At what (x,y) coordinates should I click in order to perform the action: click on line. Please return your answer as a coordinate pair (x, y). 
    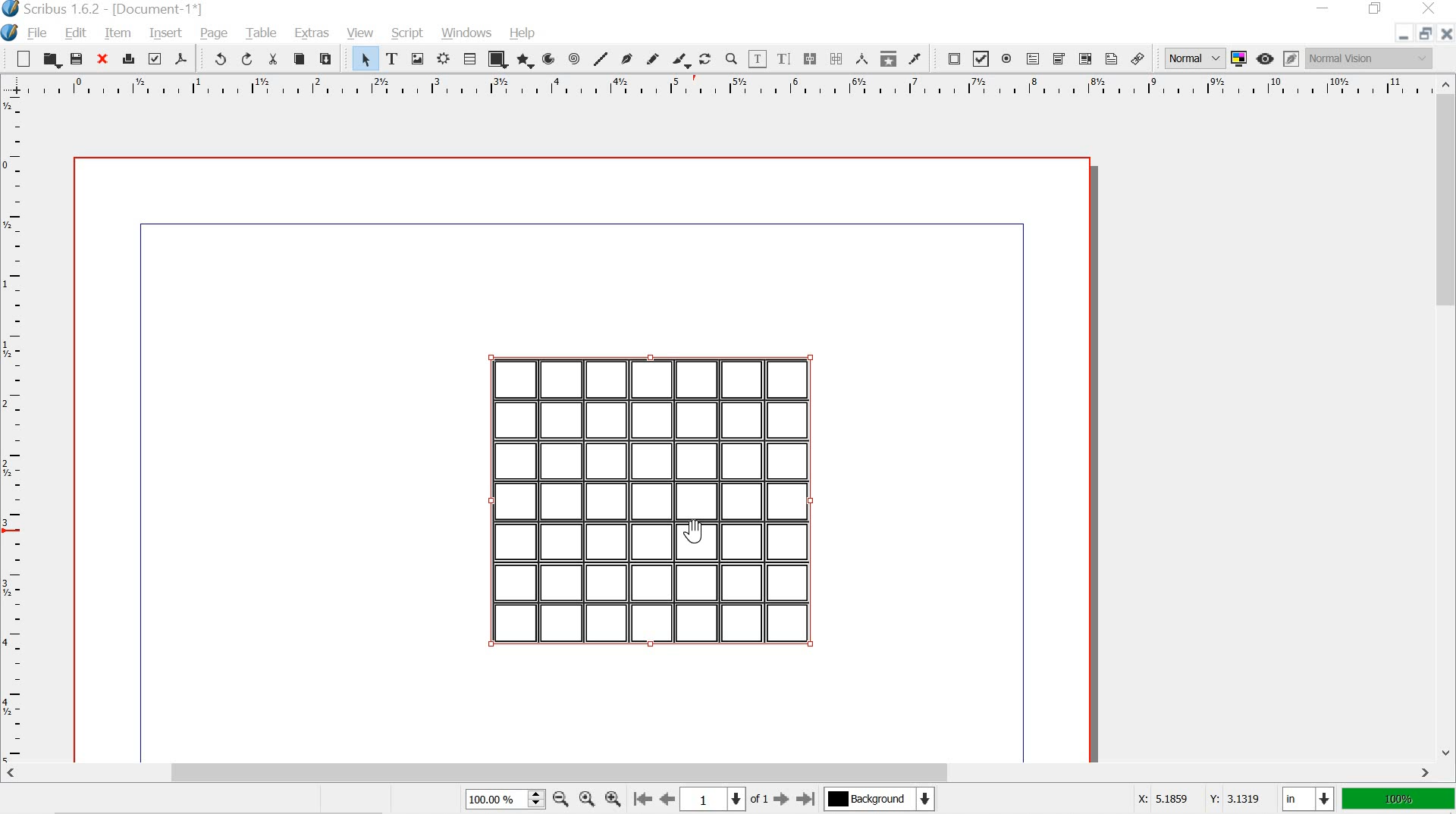
    Looking at the image, I should click on (602, 56).